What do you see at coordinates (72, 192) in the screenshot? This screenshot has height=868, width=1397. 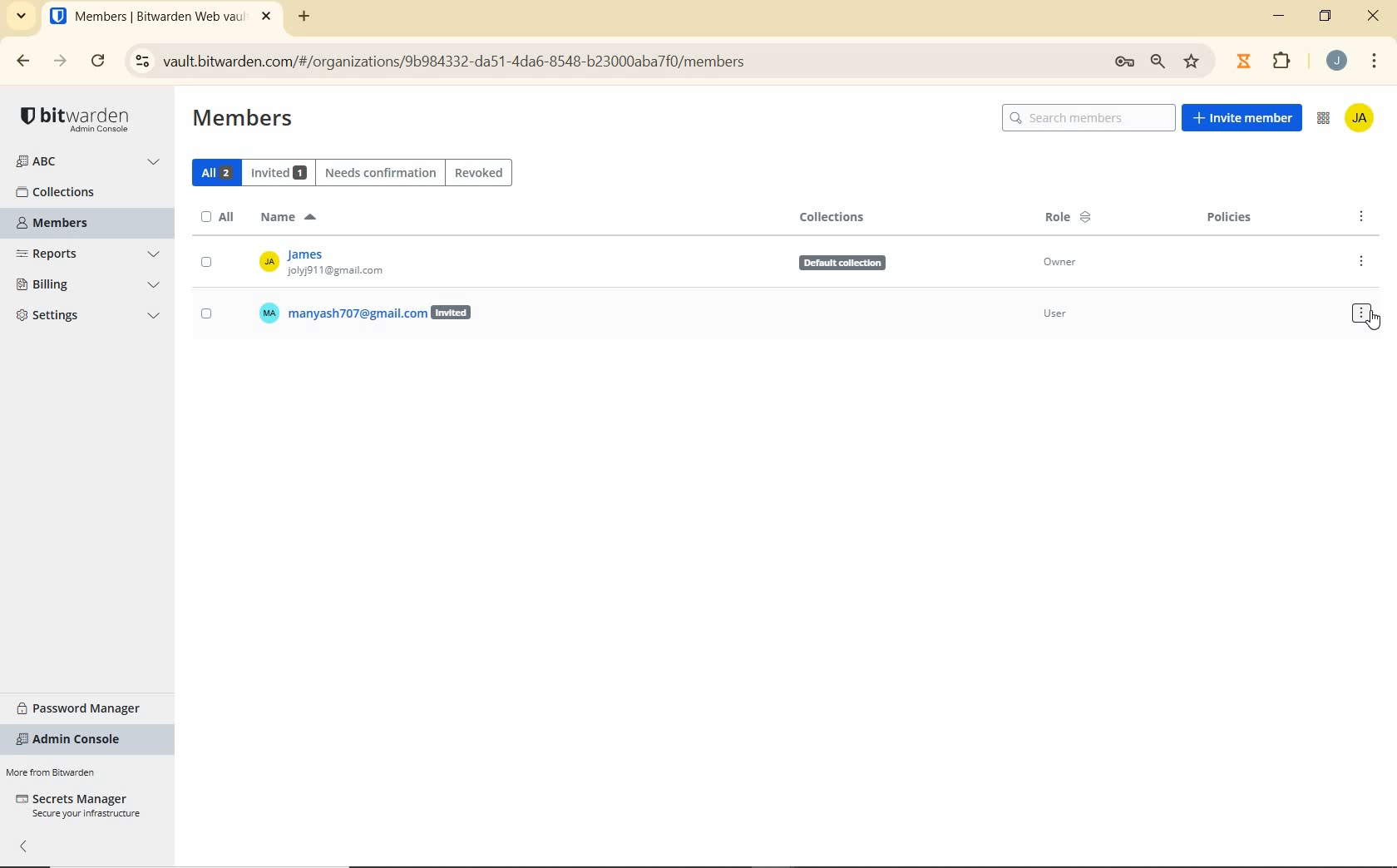 I see `COLLECTIONS` at bounding box center [72, 192].